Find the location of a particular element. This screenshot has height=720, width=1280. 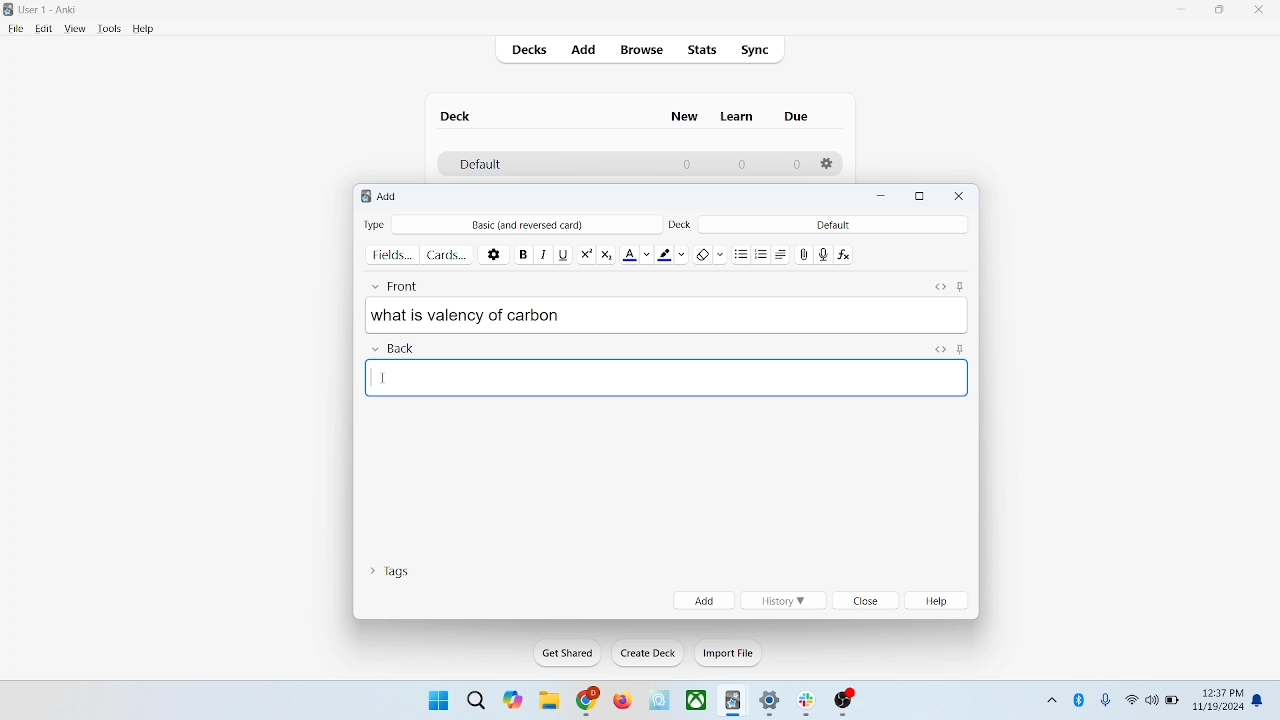

sticky is located at coordinates (960, 284).